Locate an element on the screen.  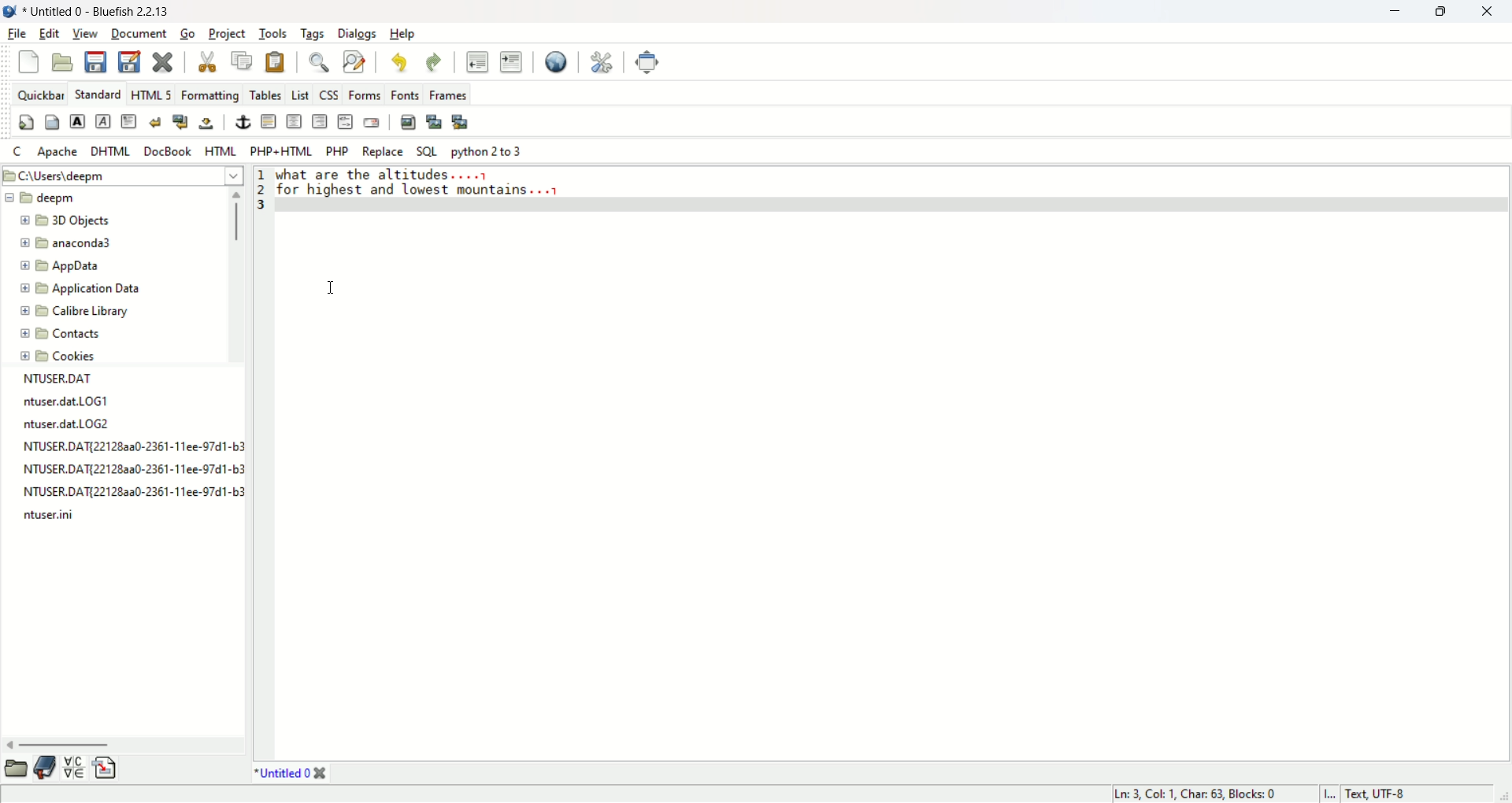
center is located at coordinates (295, 121).